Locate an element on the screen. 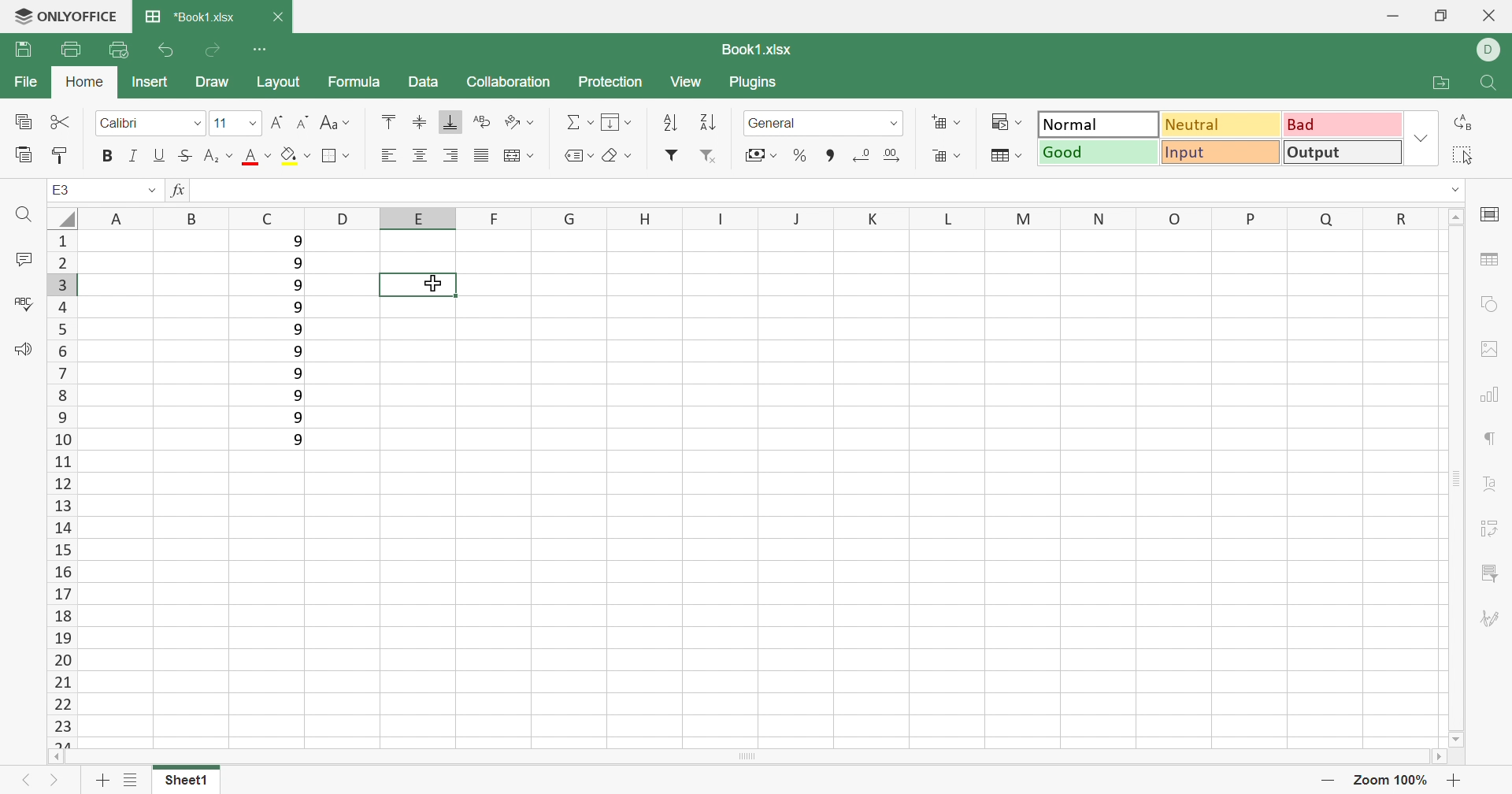 The height and width of the screenshot is (794, 1512). Ascending order is located at coordinates (670, 124).